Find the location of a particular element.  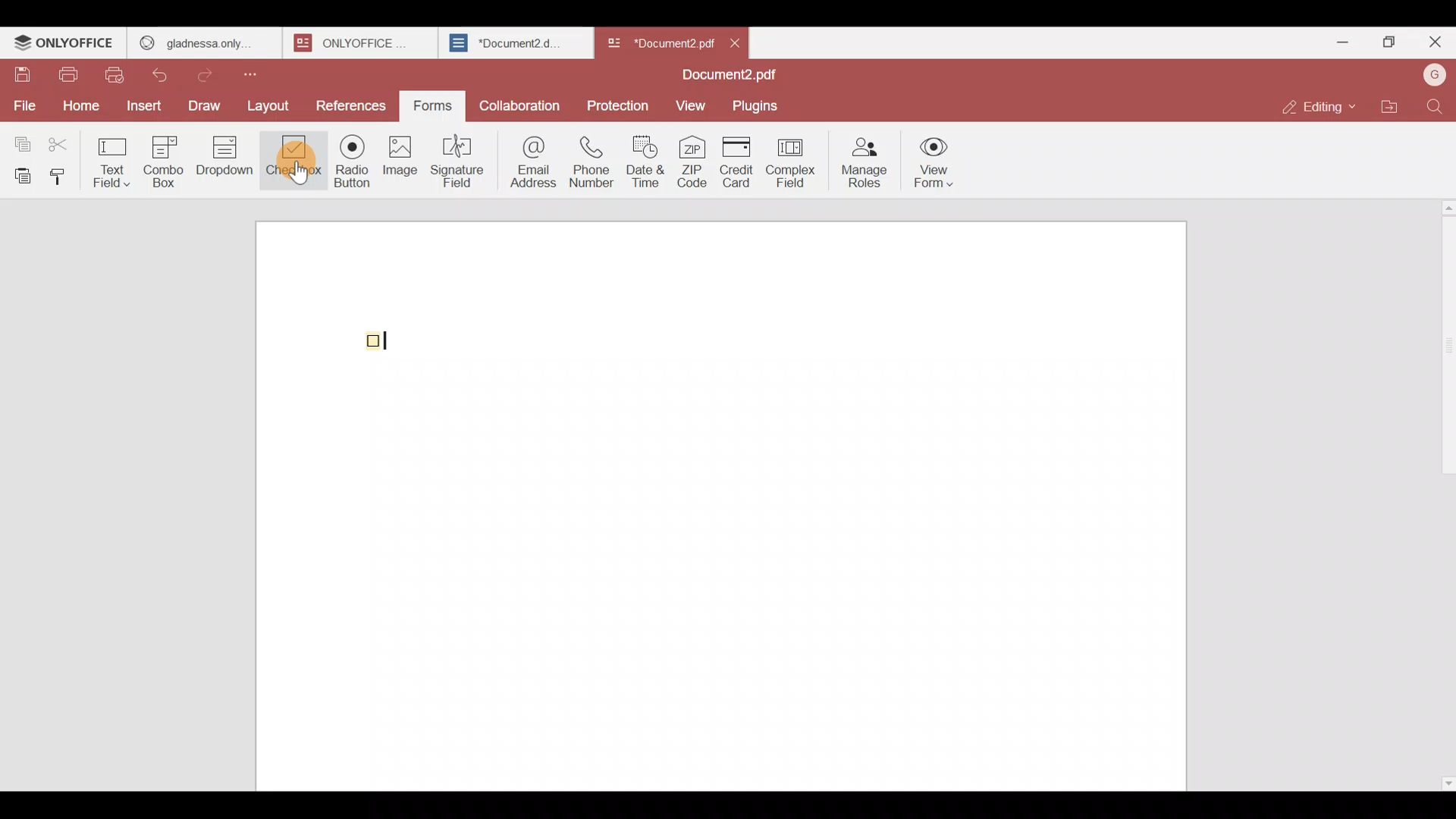

View is located at coordinates (693, 105).